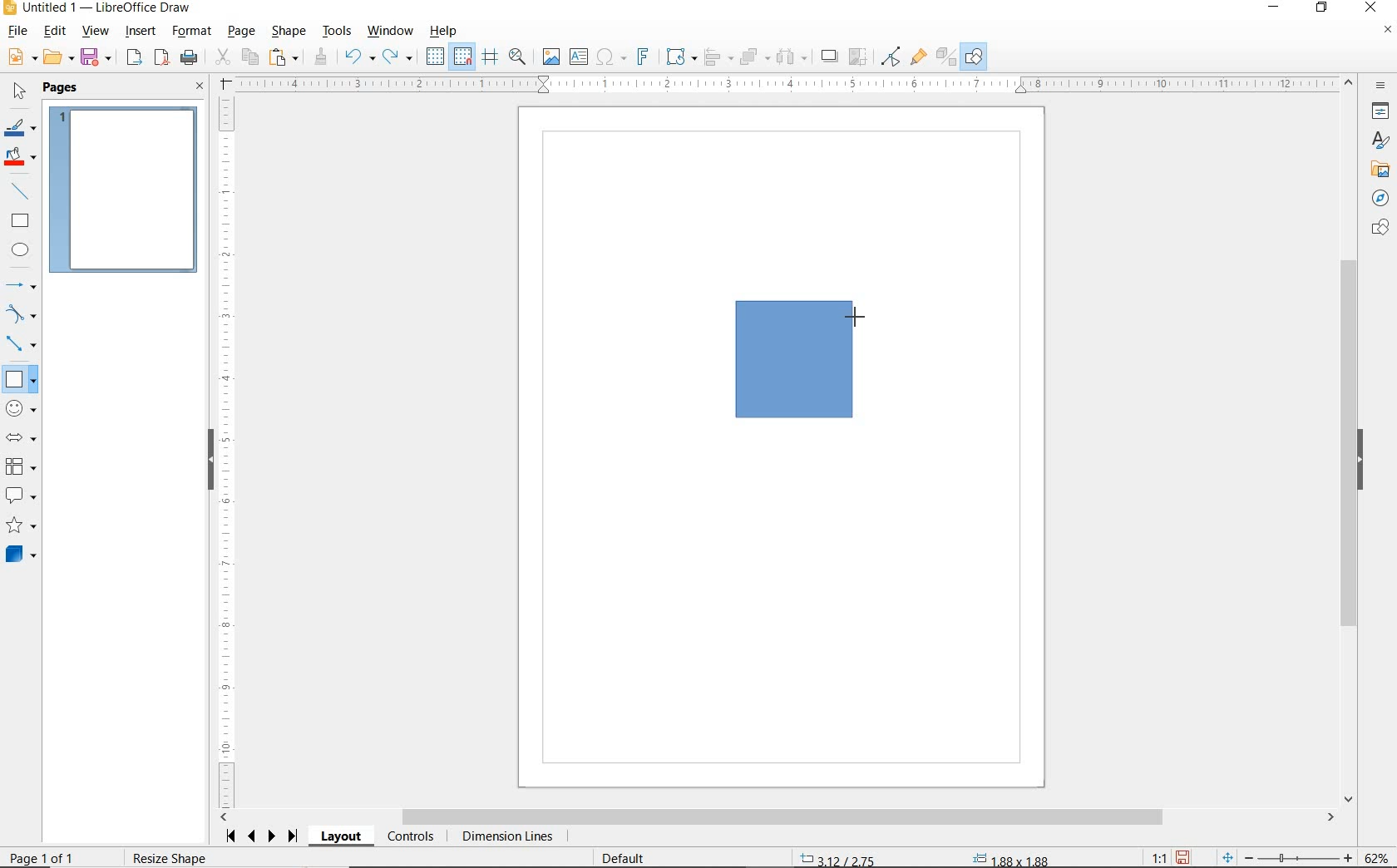 The width and height of the screenshot is (1397, 868). Describe the element at coordinates (945, 56) in the screenshot. I see `TOGGLE EXTRUSION` at that location.